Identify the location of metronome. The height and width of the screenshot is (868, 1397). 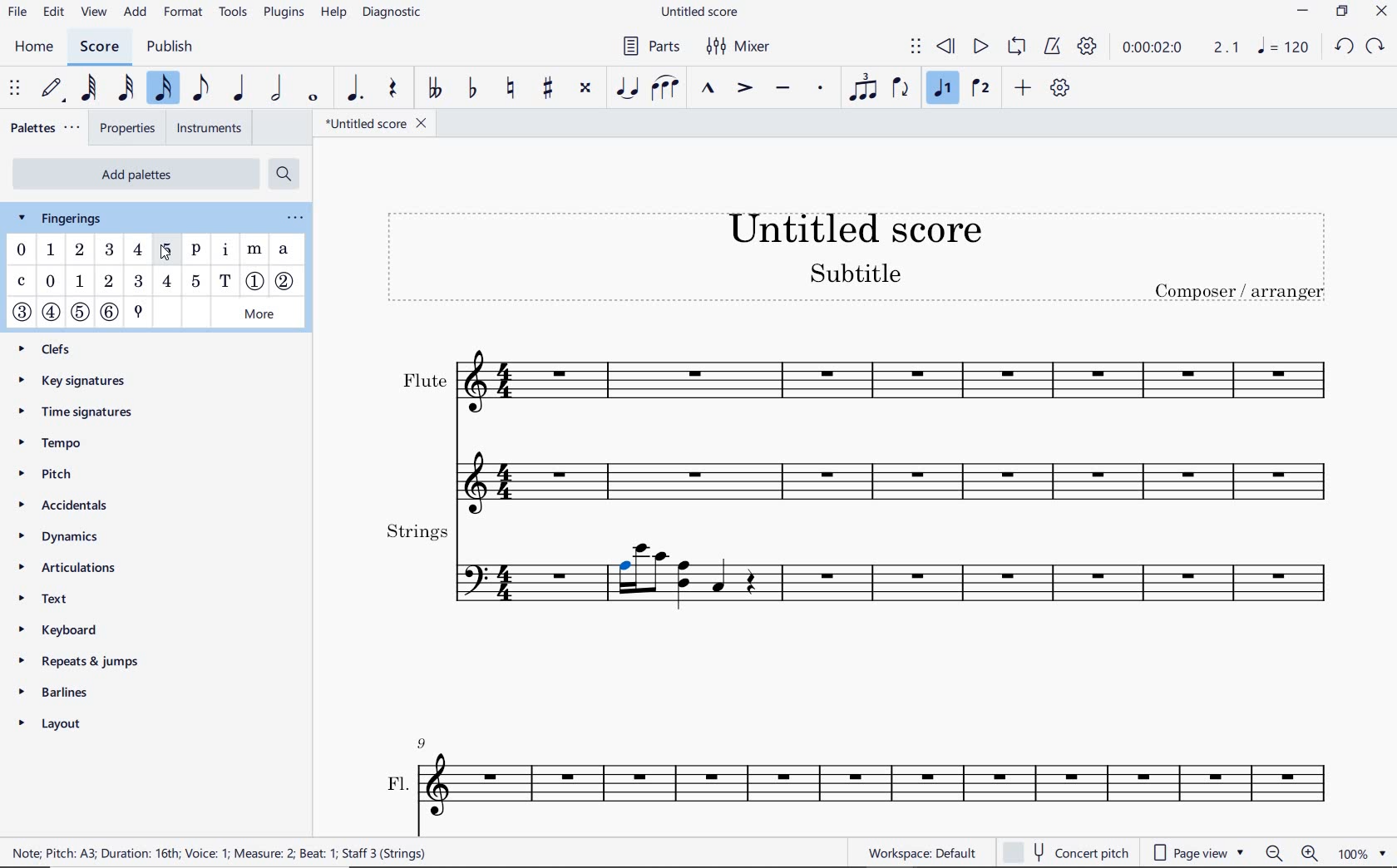
(1052, 49).